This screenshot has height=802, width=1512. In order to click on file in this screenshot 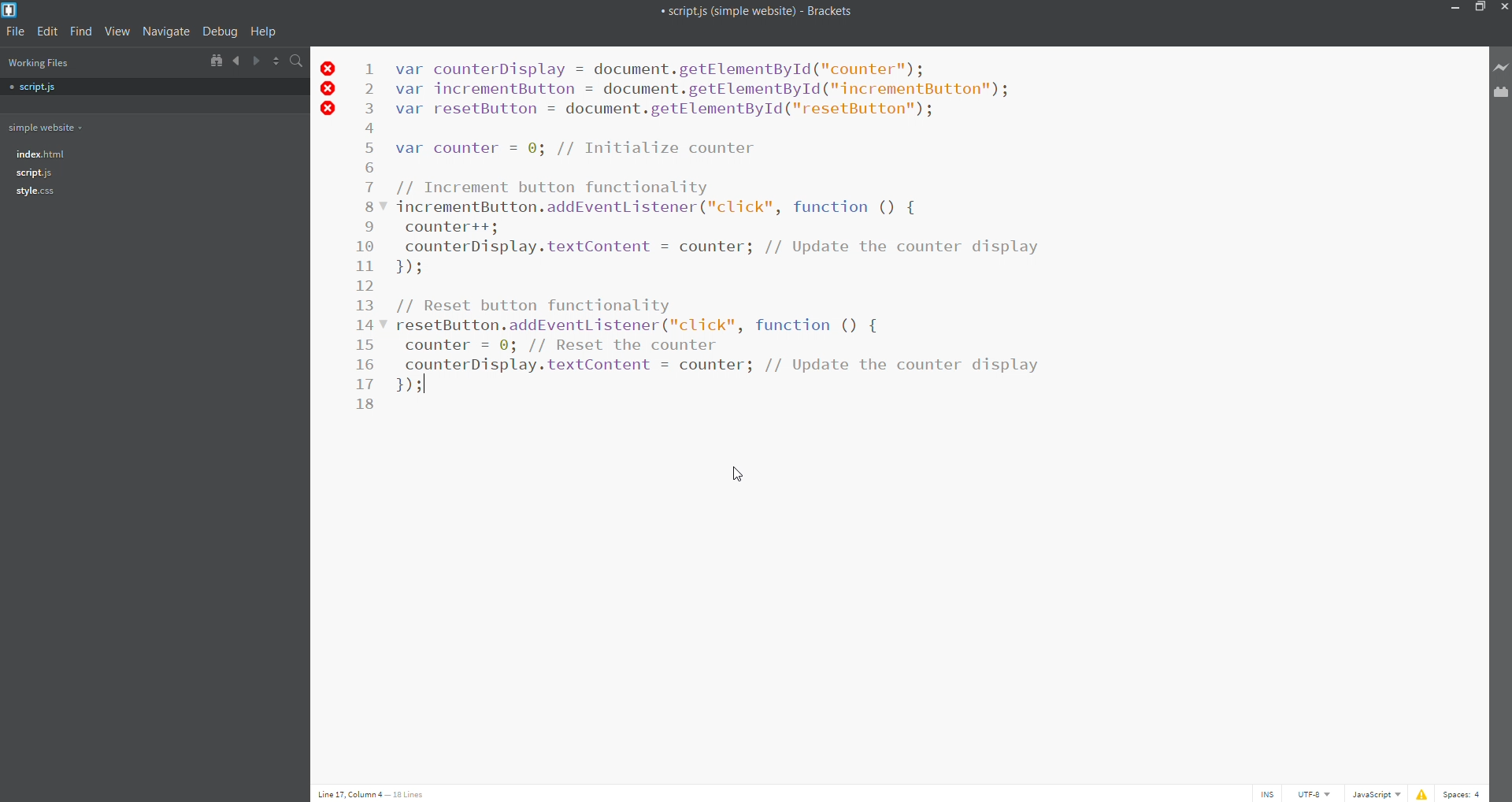, I will do `click(13, 32)`.